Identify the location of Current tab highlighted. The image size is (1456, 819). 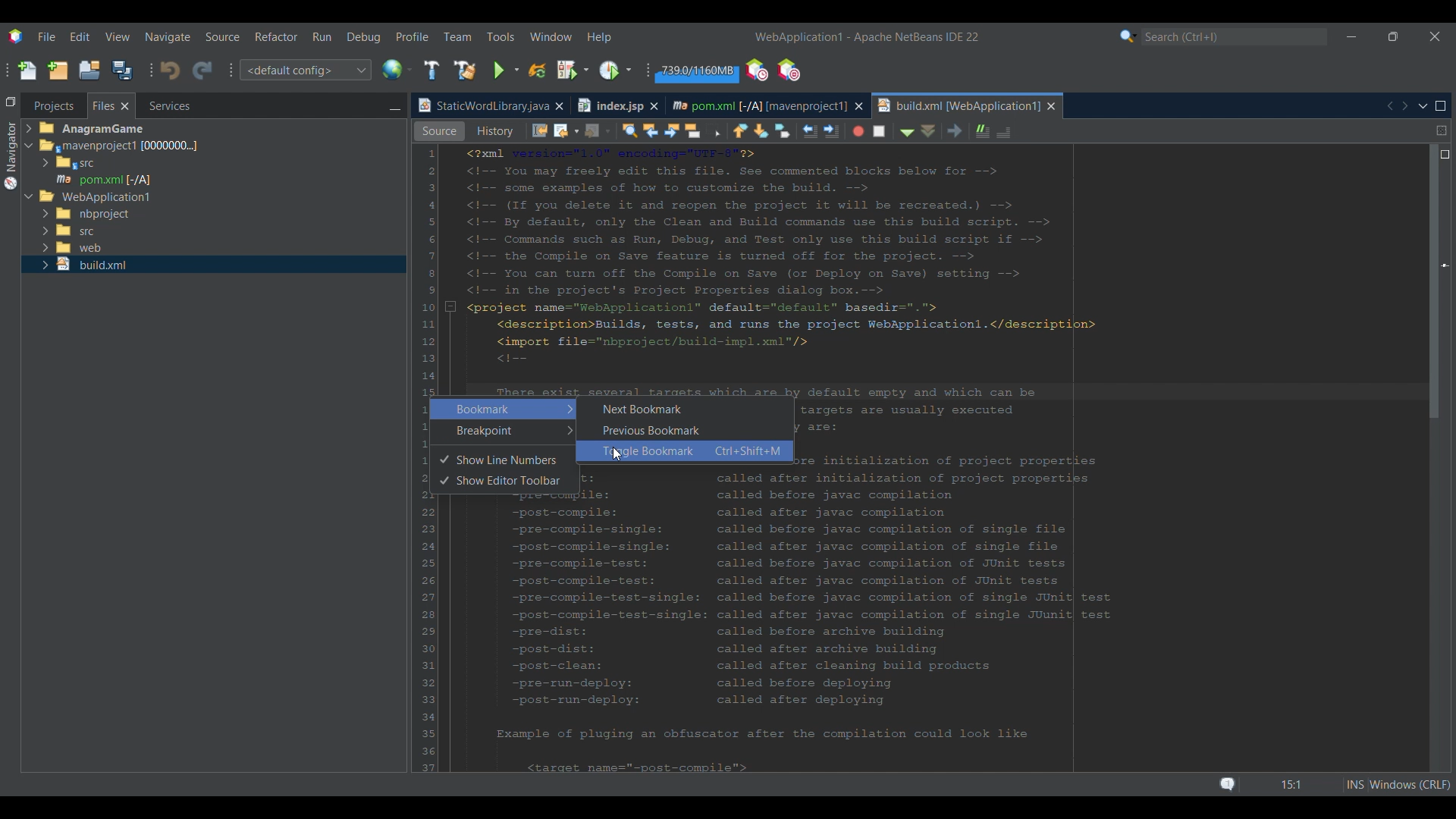
(758, 104).